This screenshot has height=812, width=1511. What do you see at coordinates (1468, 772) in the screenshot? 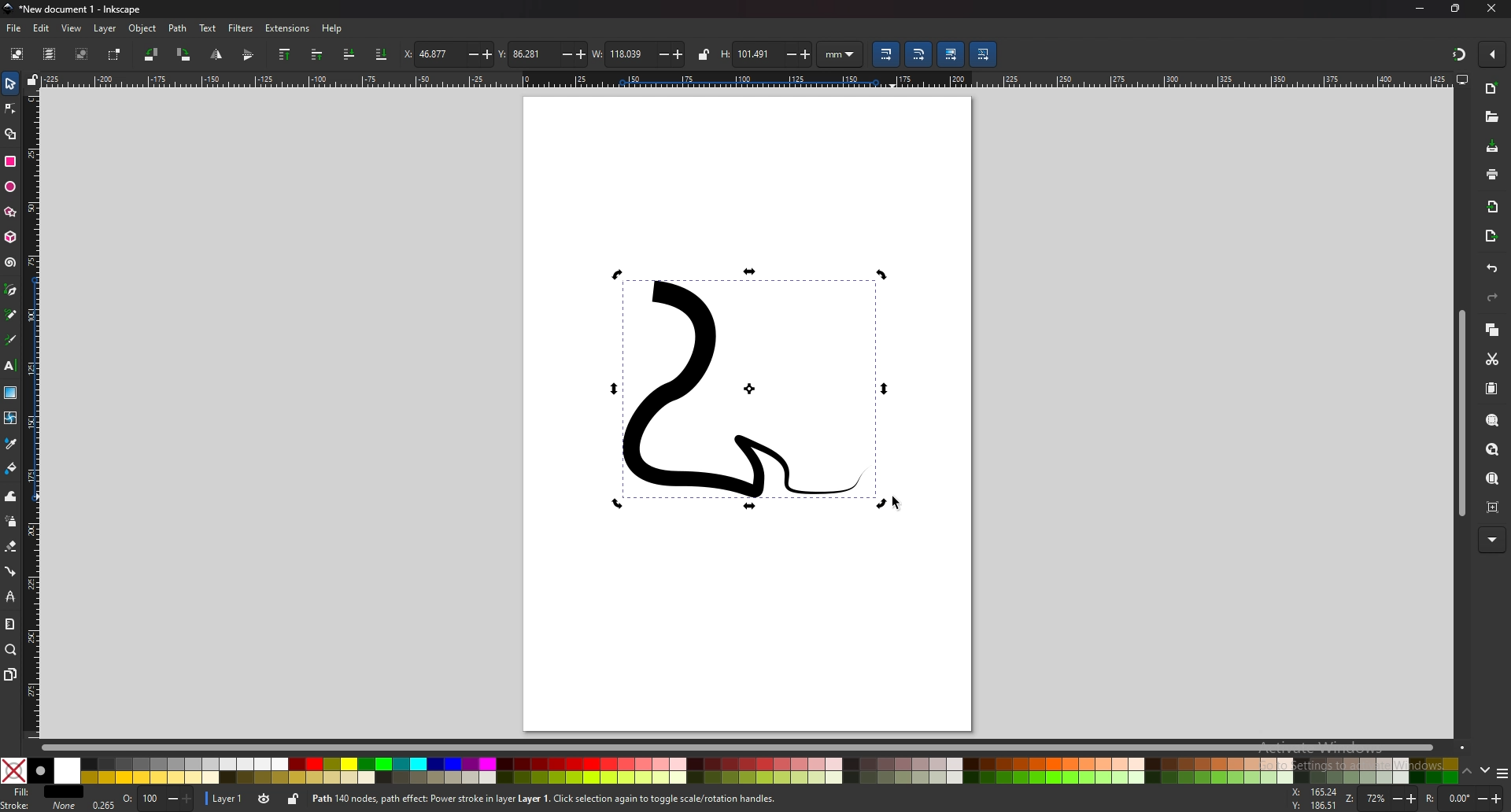
I see `up` at bounding box center [1468, 772].